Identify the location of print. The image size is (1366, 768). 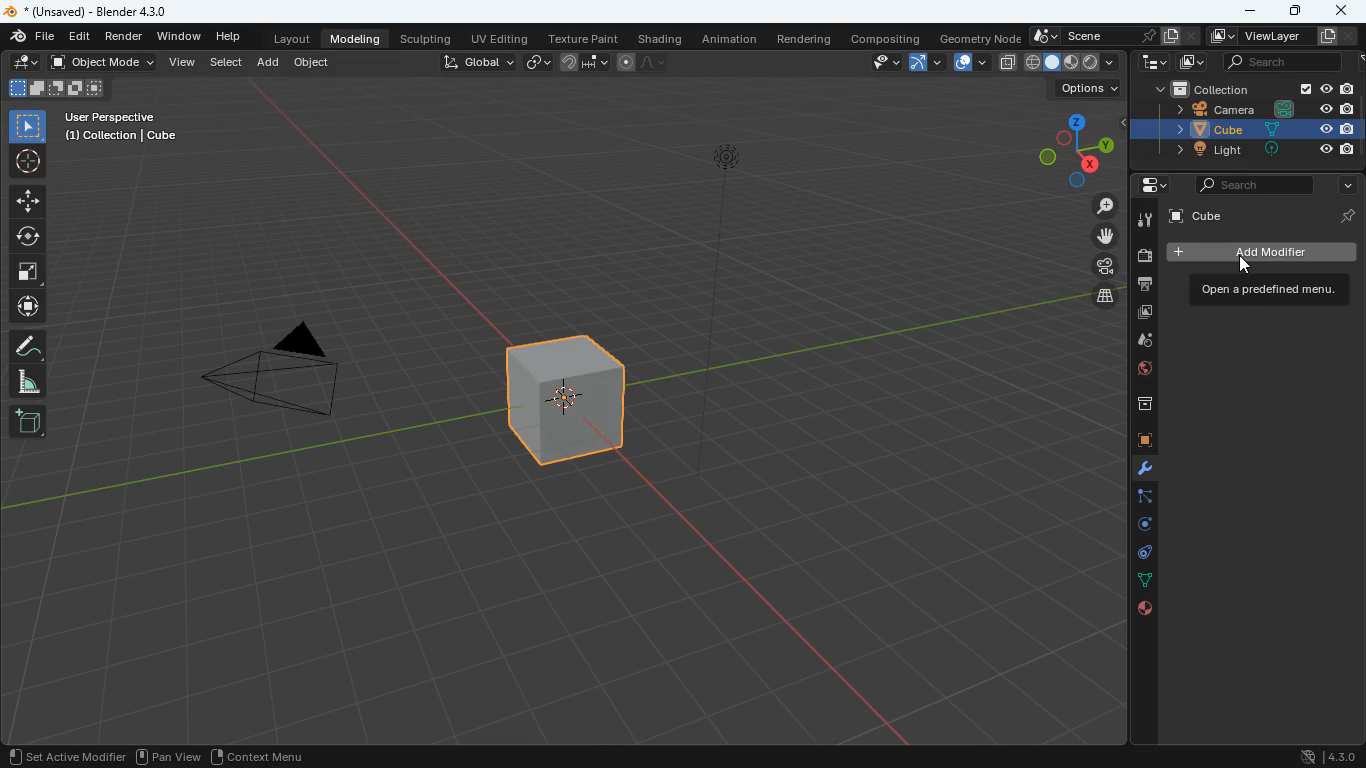
(1142, 286).